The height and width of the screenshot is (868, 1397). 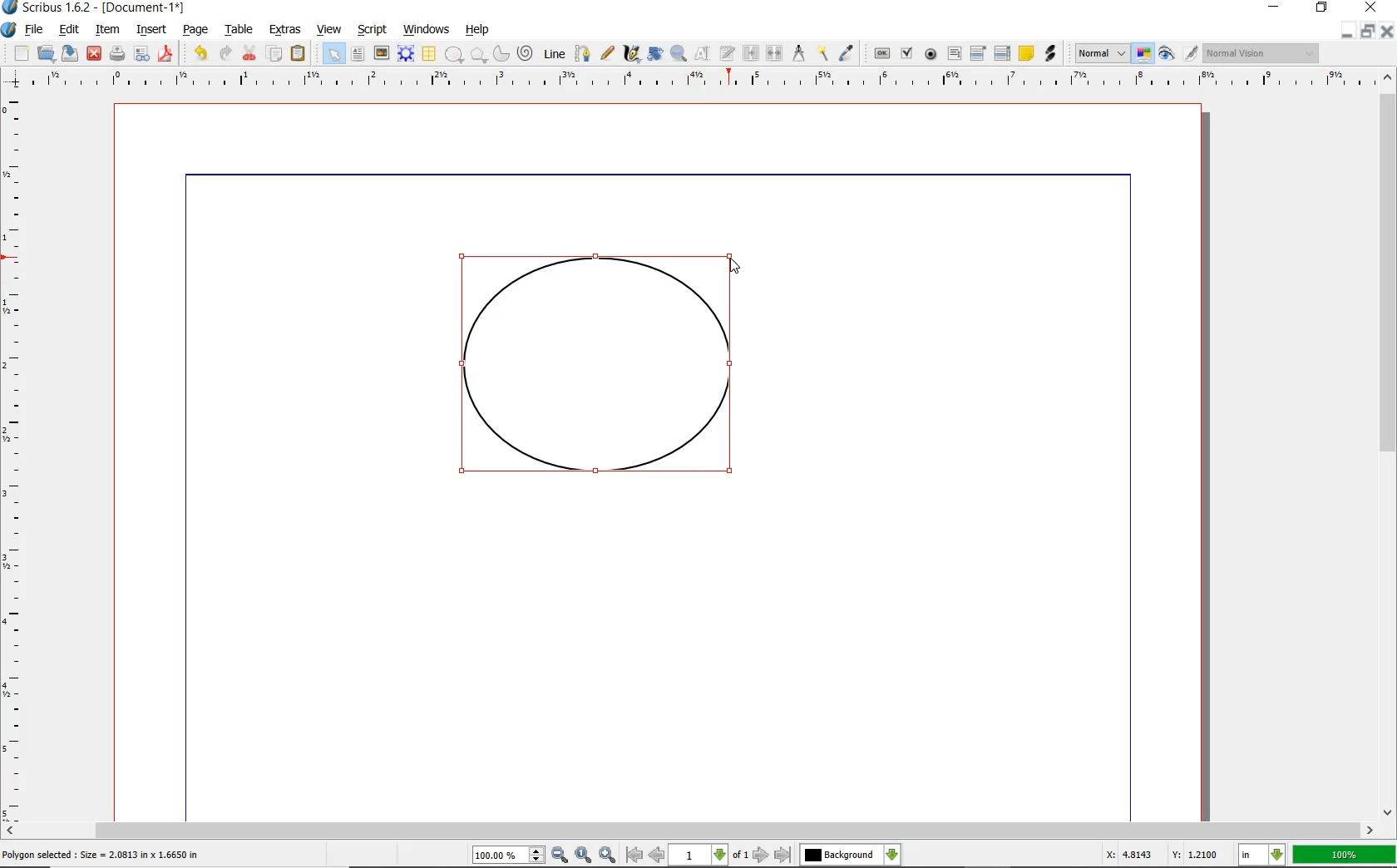 I want to click on 1 of 1, so click(x=710, y=855).